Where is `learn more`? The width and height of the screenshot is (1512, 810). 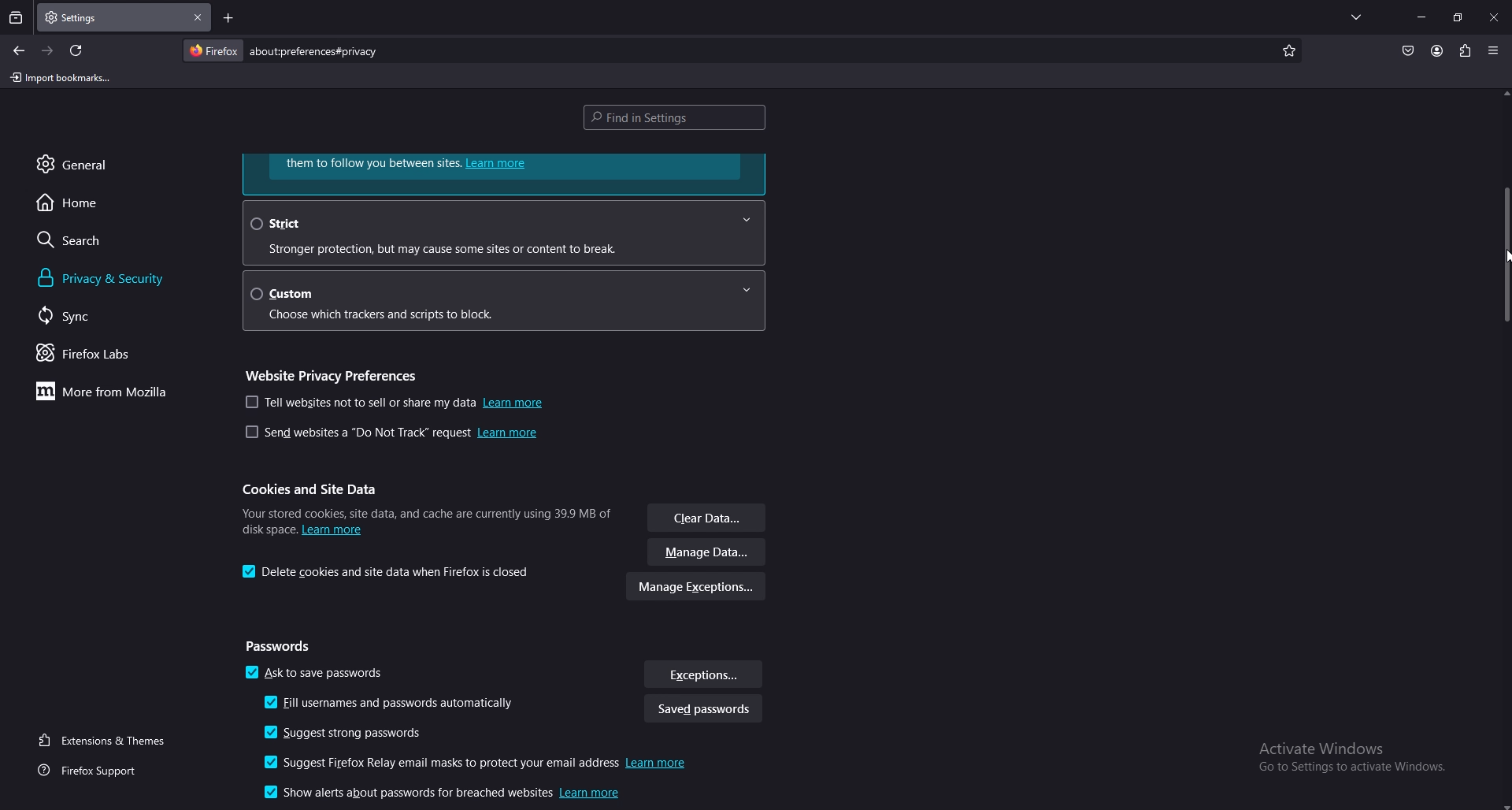 learn more is located at coordinates (505, 173).